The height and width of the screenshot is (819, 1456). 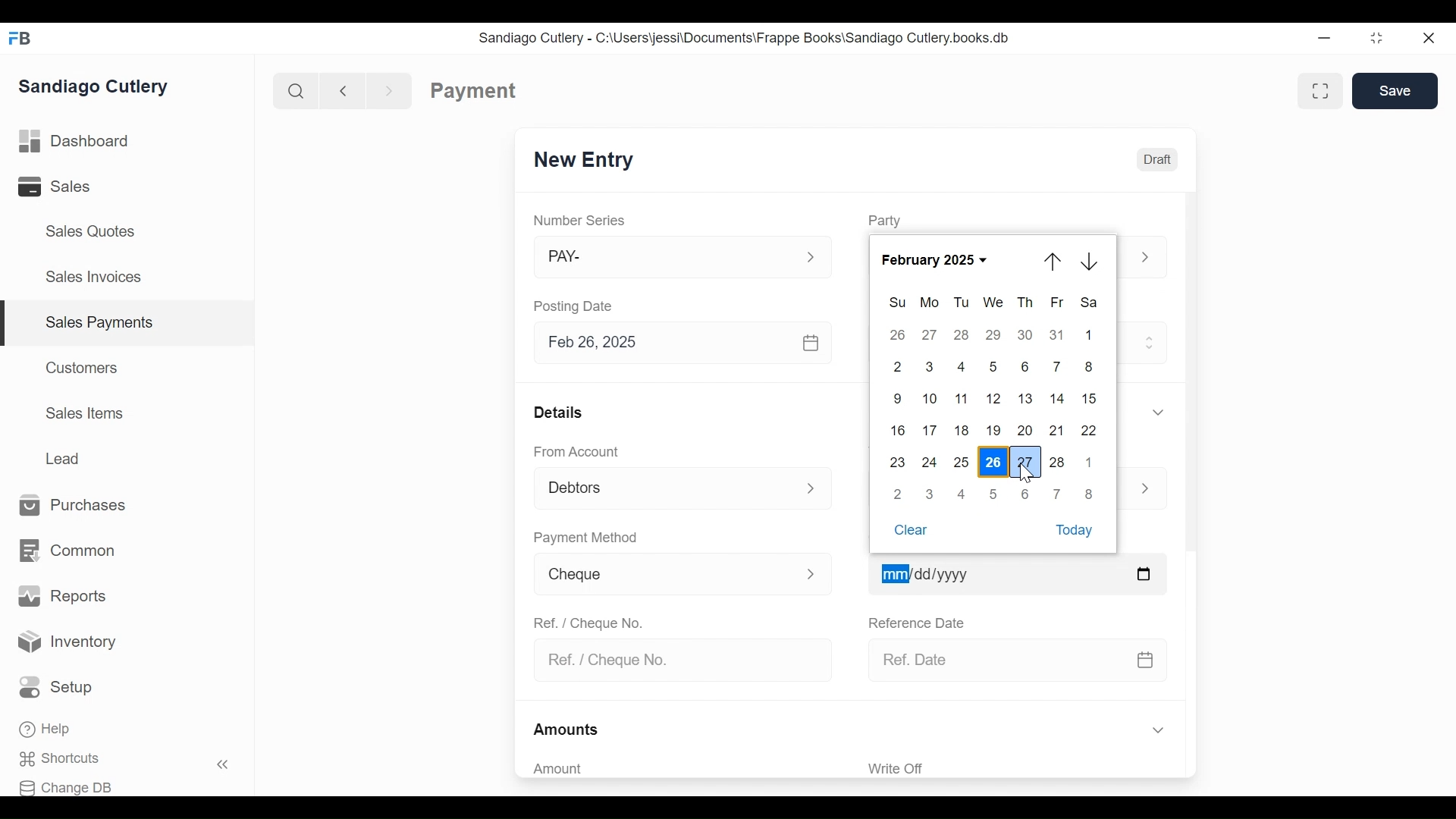 I want to click on Navigate Back, so click(x=340, y=90).